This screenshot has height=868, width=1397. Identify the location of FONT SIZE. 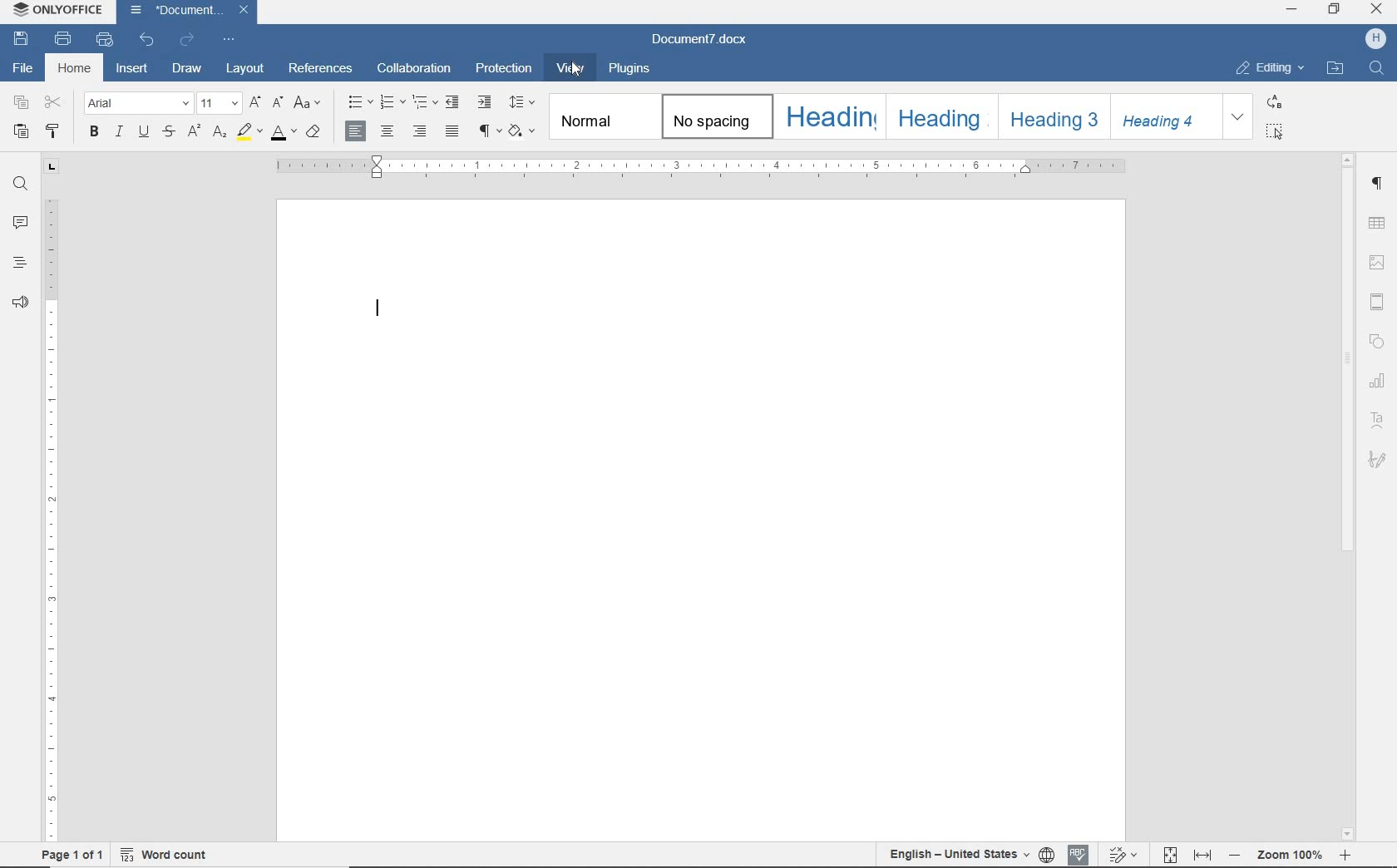
(218, 103).